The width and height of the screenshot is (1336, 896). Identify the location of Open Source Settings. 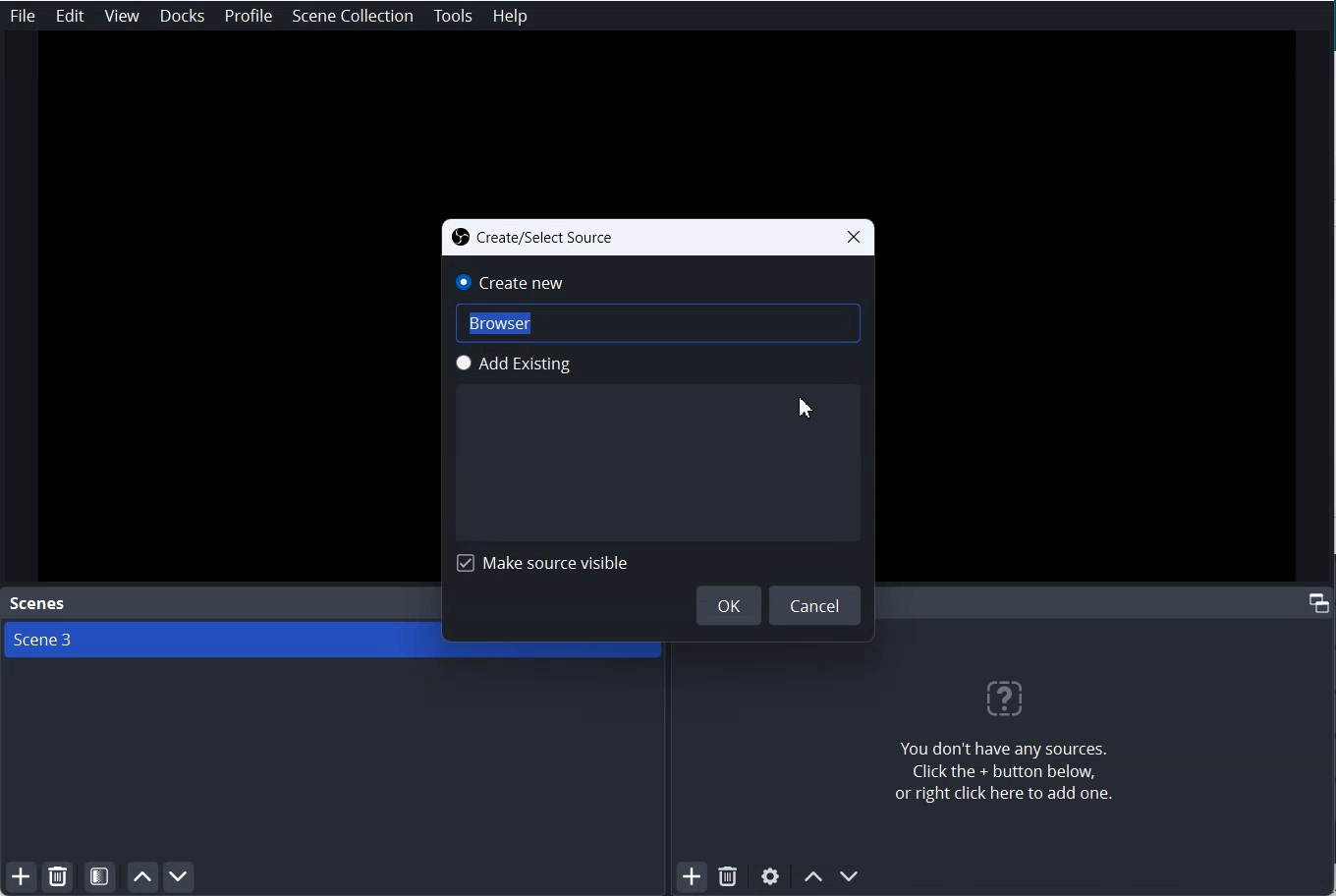
(769, 878).